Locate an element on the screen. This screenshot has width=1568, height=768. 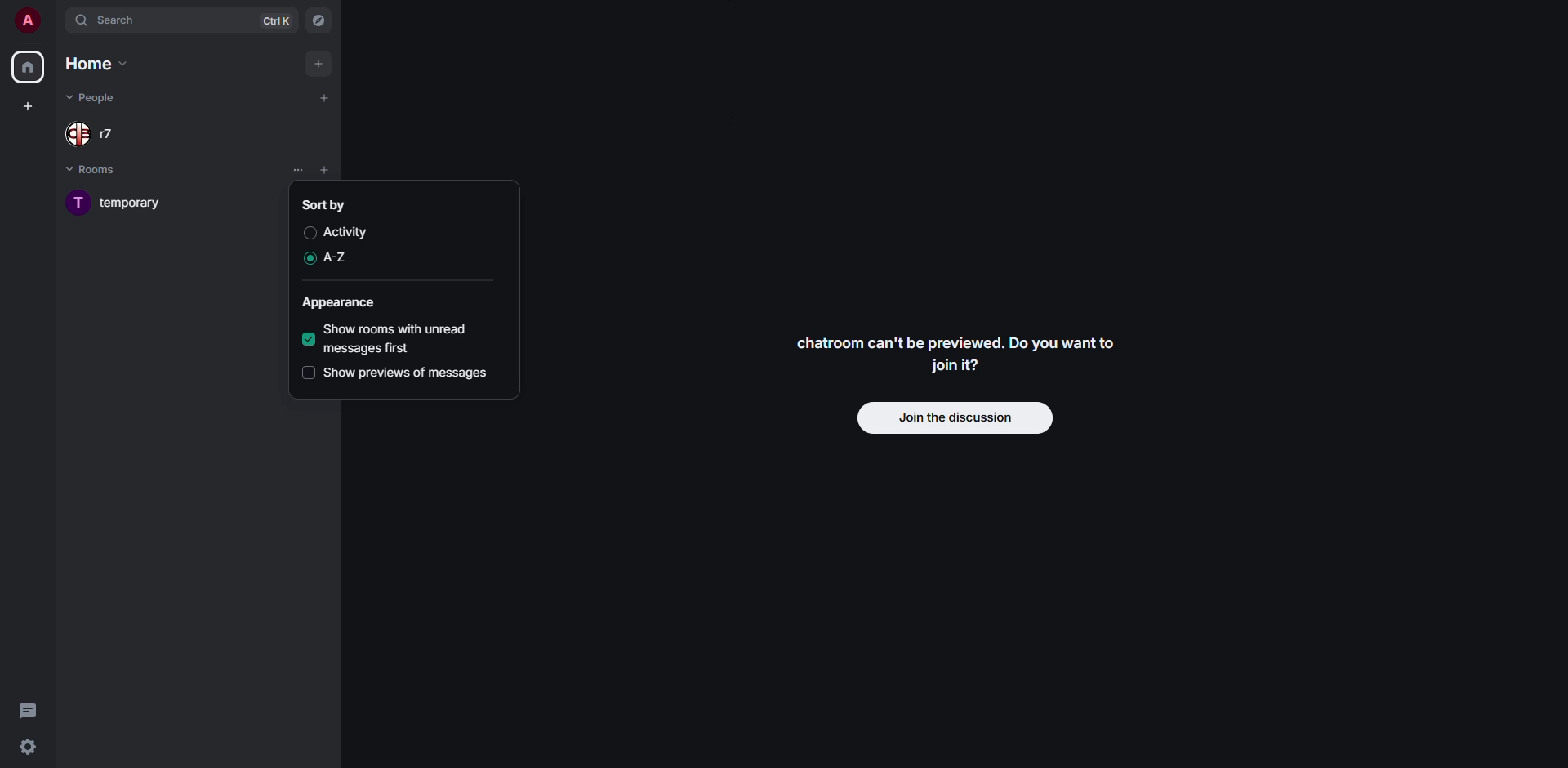
rooms is located at coordinates (104, 168).